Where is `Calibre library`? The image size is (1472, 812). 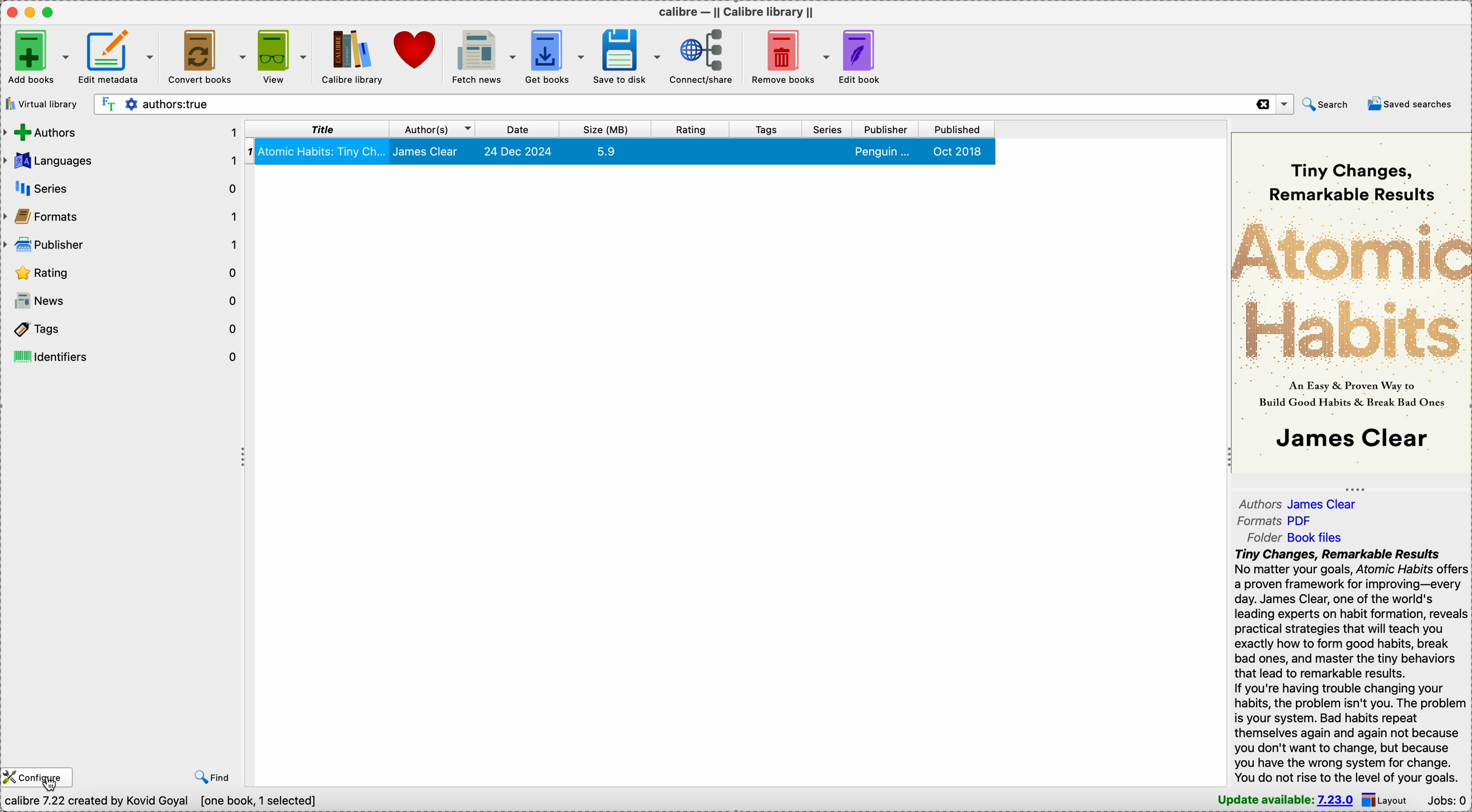 Calibre library is located at coordinates (347, 58).